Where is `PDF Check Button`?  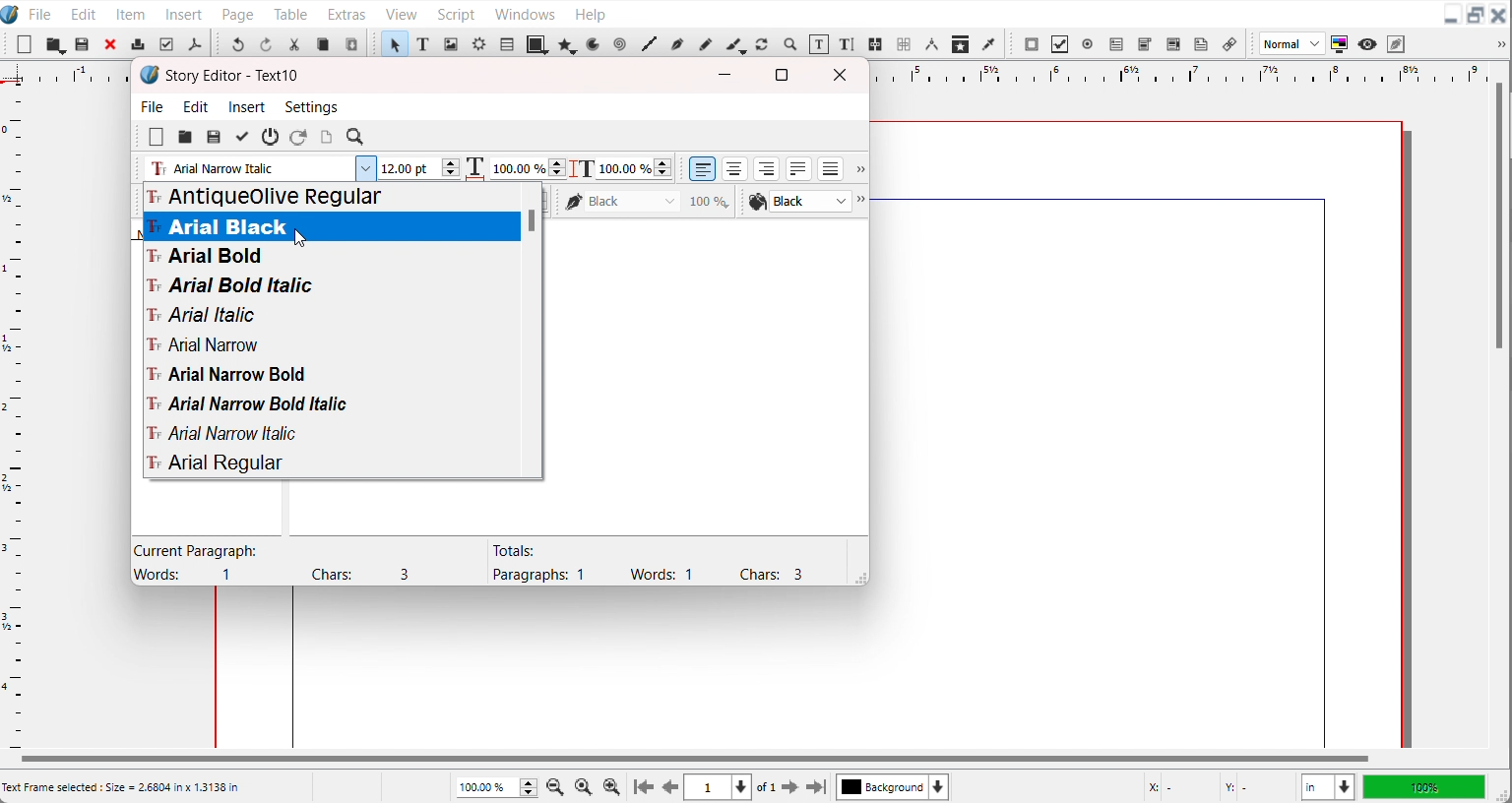 PDF Check Button is located at coordinates (1059, 44).